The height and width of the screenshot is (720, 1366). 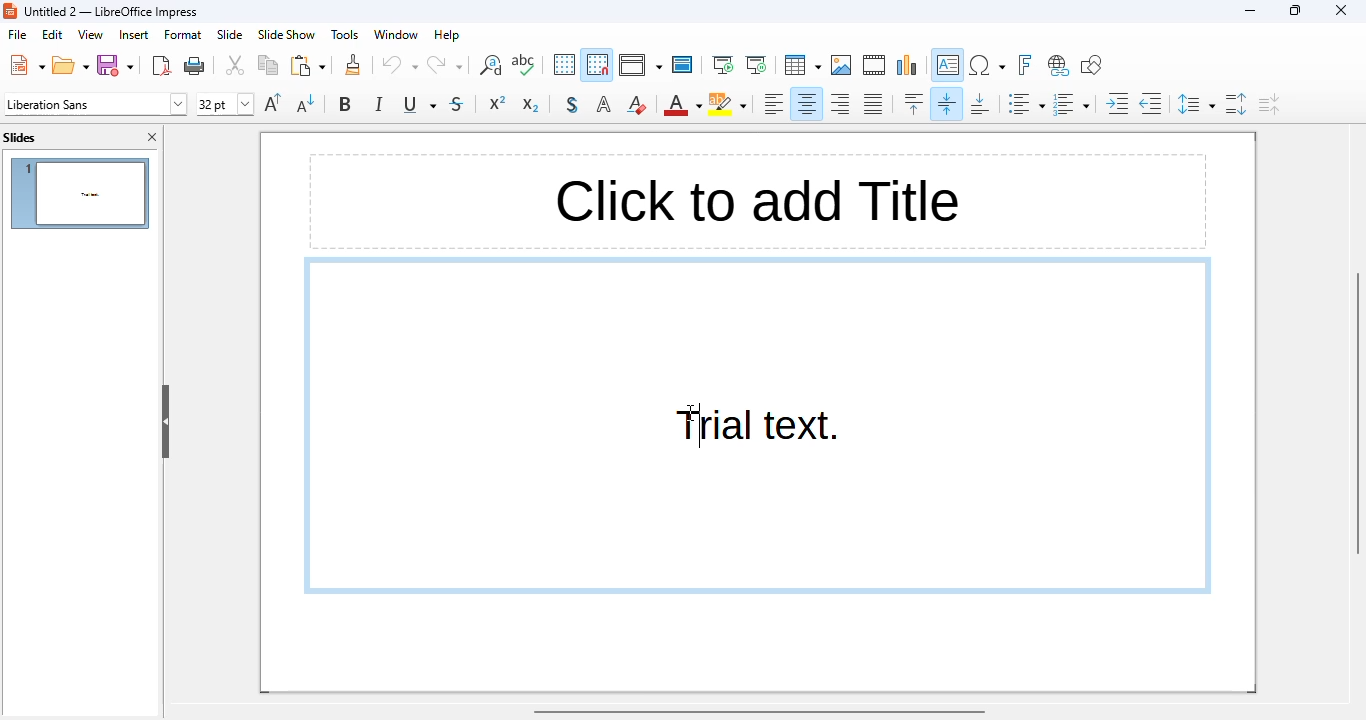 What do you see at coordinates (10, 11) in the screenshot?
I see `logo` at bounding box center [10, 11].